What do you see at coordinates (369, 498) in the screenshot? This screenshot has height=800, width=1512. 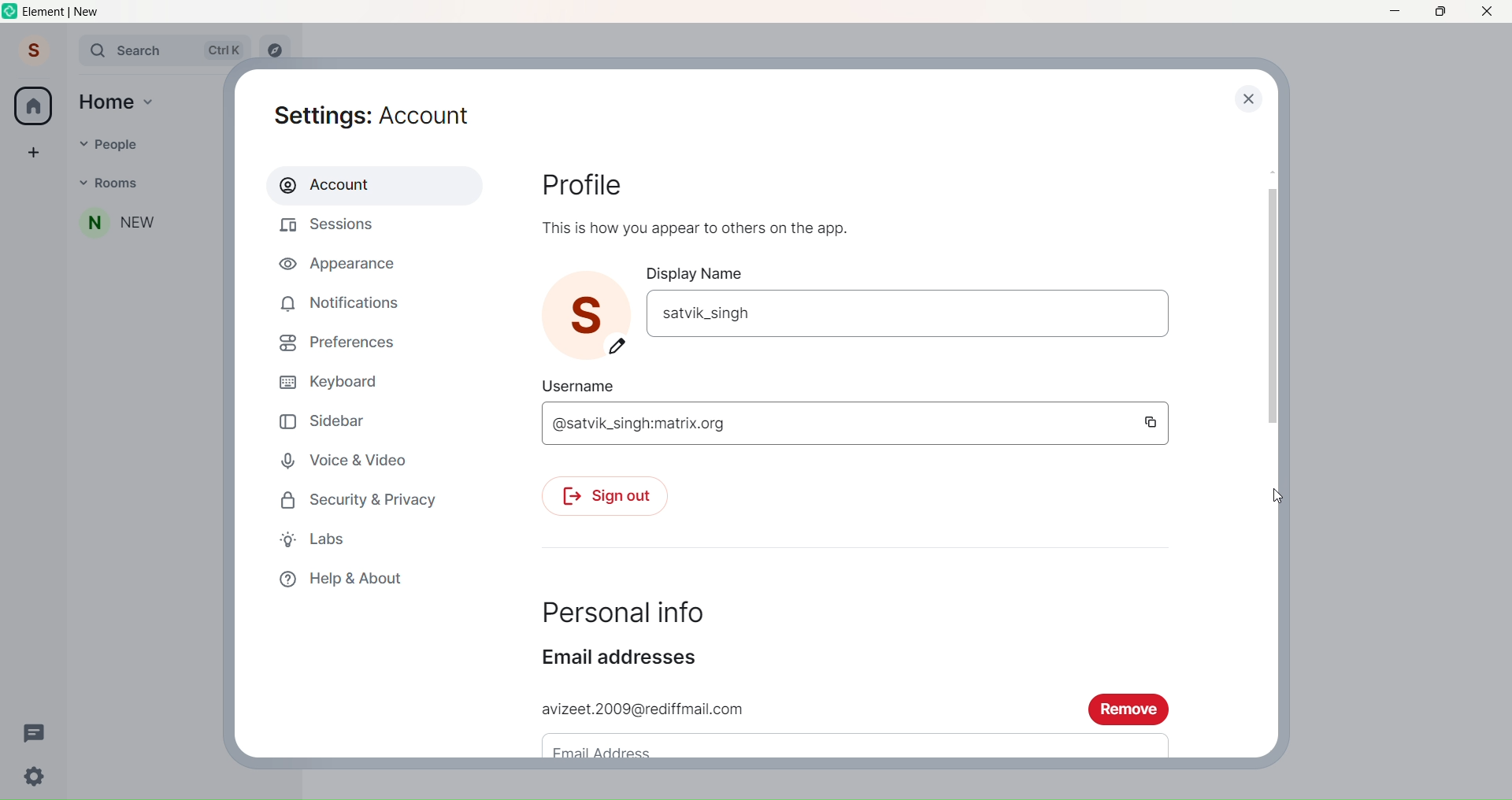 I see `Security and Privacy` at bounding box center [369, 498].